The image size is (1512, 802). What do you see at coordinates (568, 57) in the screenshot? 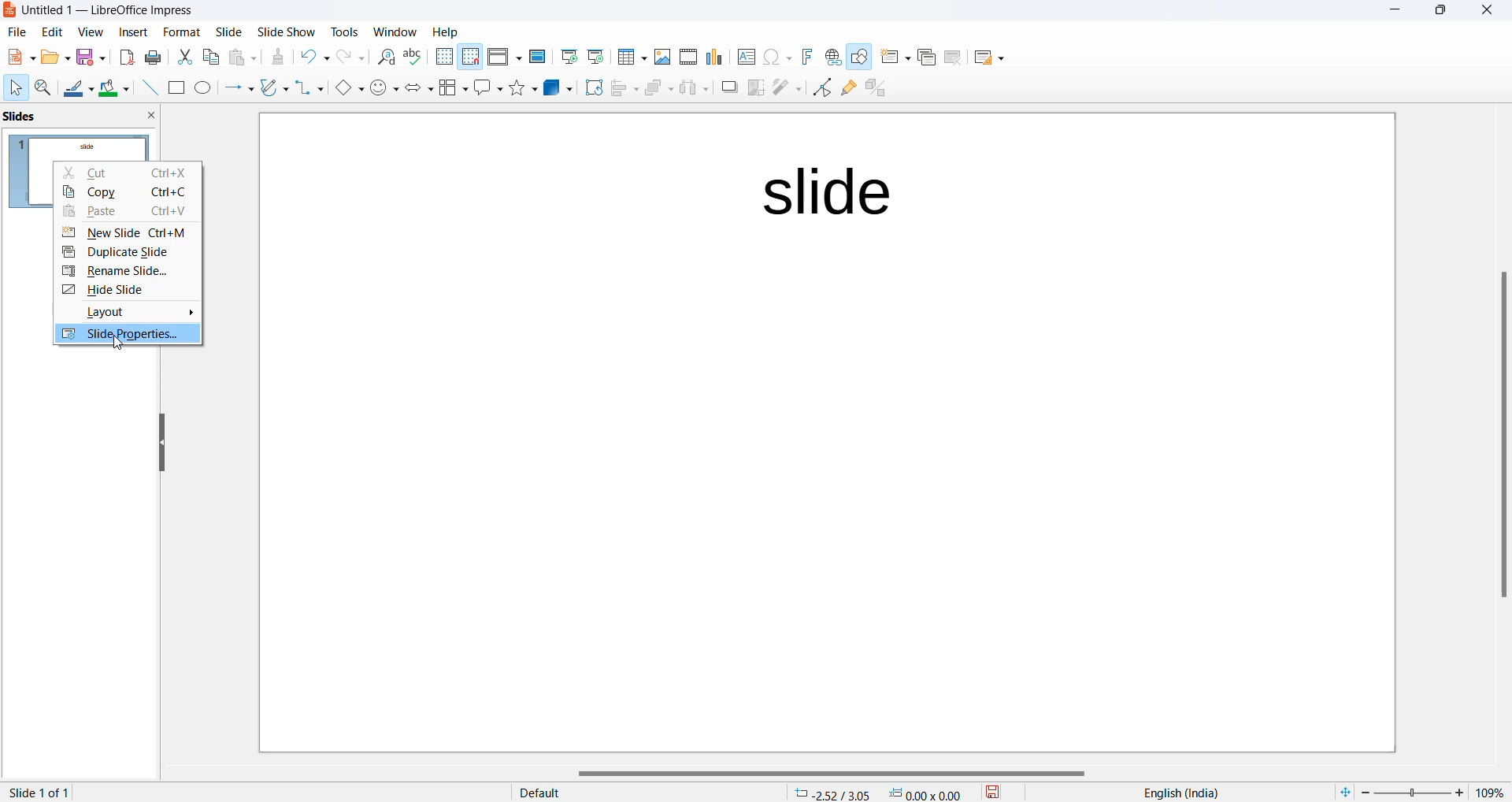
I see `start from first slide` at bounding box center [568, 57].